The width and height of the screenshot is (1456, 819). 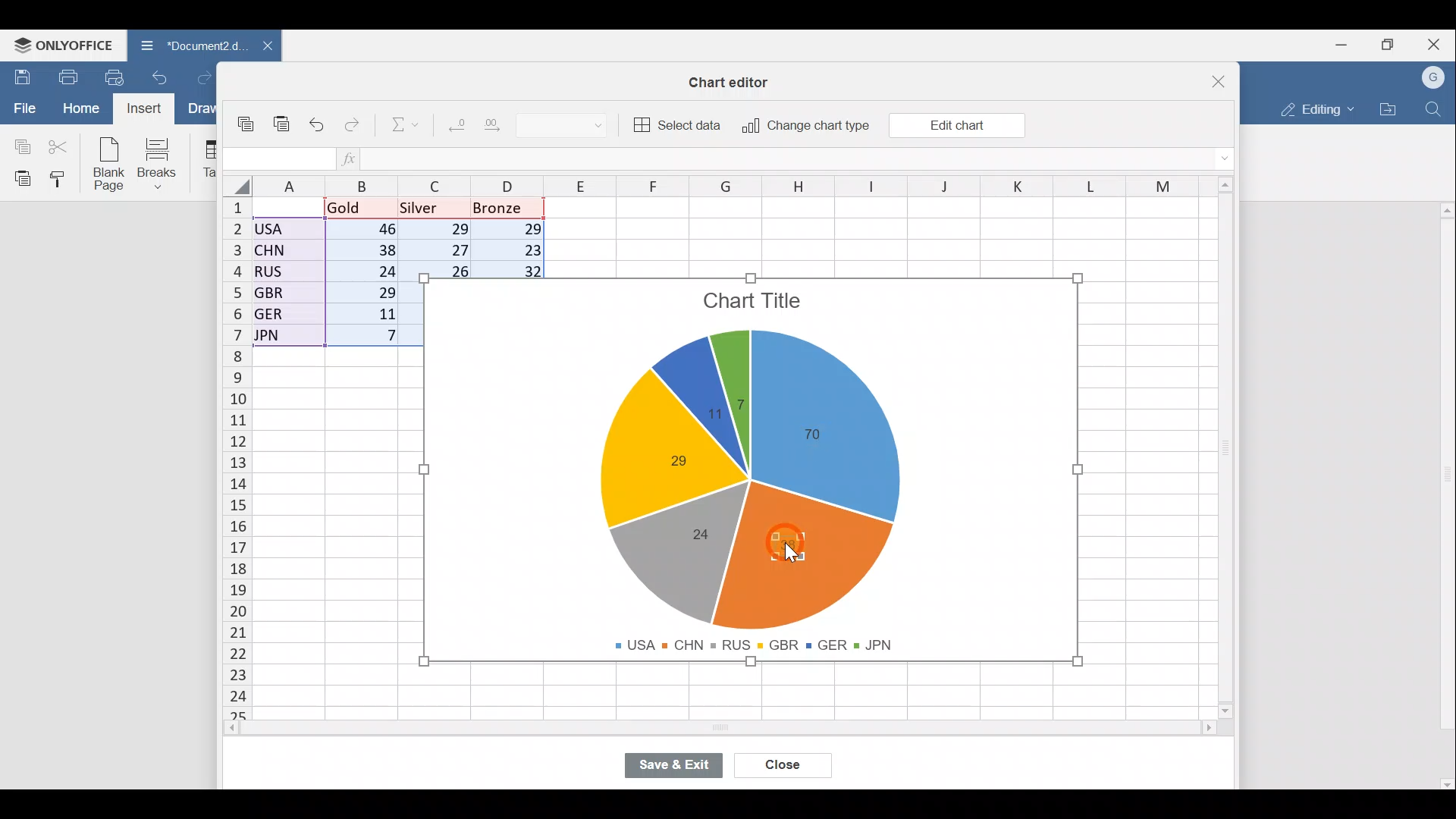 What do you see at coordinates (149, 108) in the screenshot?
I see `Cursor on Insert` at bounding box center [149, 108].